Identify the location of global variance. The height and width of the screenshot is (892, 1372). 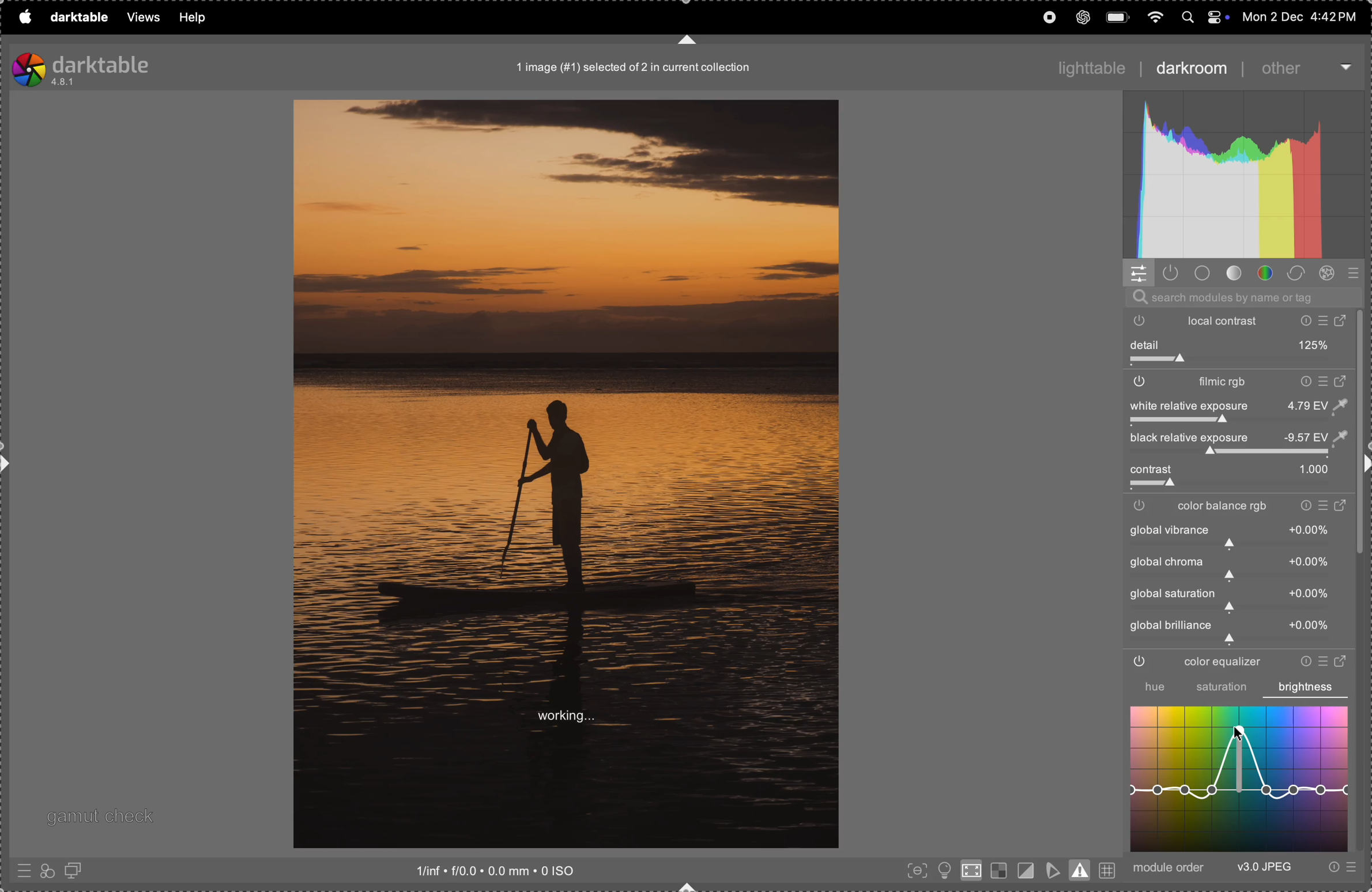
(1235, 567).